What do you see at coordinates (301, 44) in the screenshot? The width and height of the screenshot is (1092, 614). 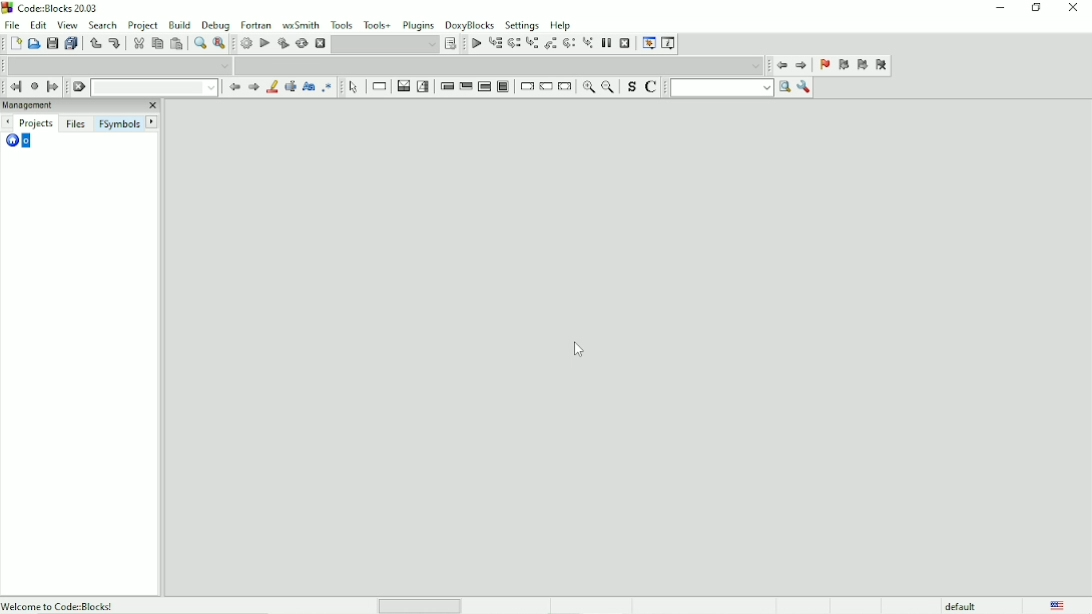 I see `Rebuild` at bounding box center [301, 44].